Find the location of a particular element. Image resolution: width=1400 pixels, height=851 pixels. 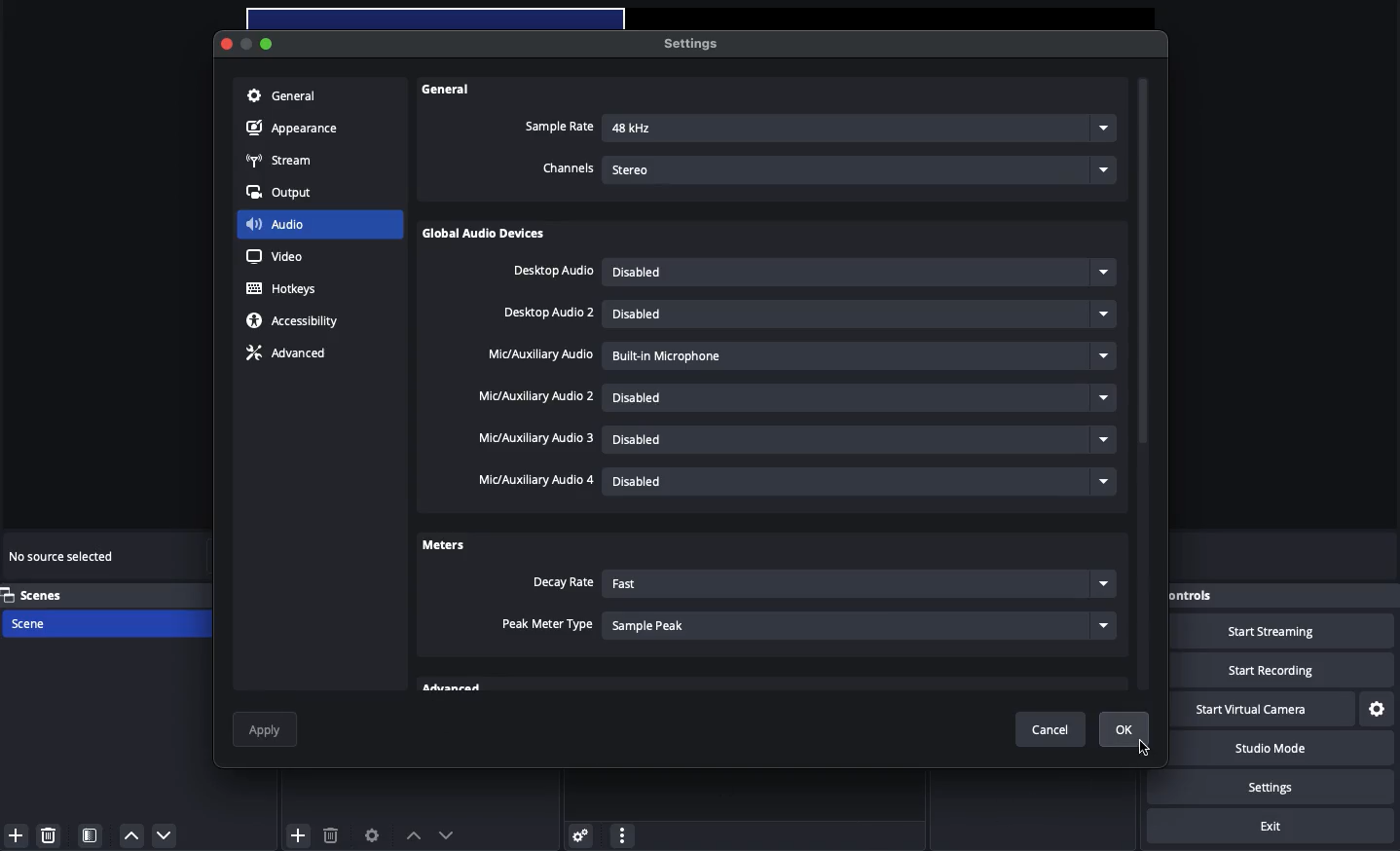

Settings is located at coordinates (577, 834).